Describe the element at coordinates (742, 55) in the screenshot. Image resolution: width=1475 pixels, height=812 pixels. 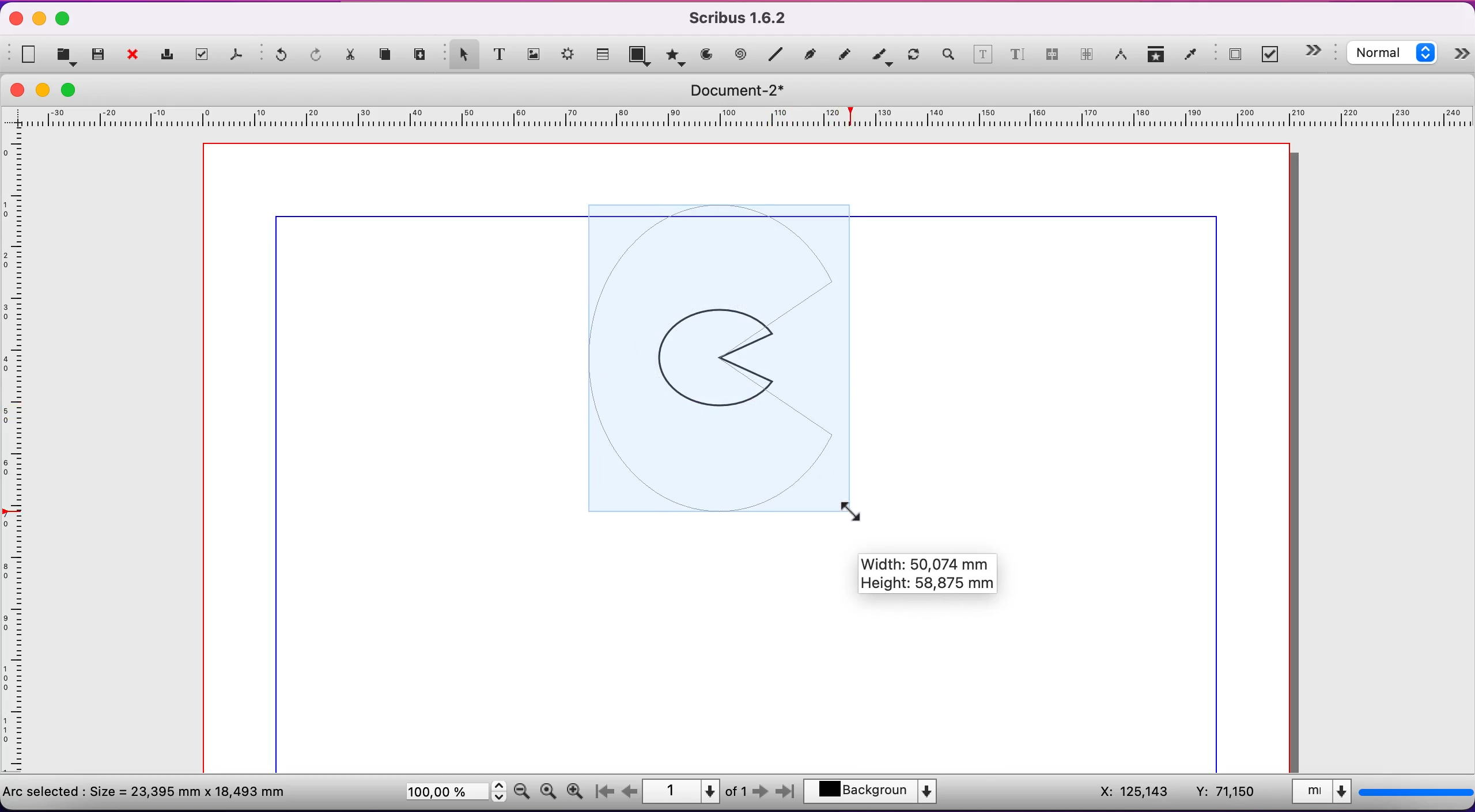
I see `spiral` at that location.